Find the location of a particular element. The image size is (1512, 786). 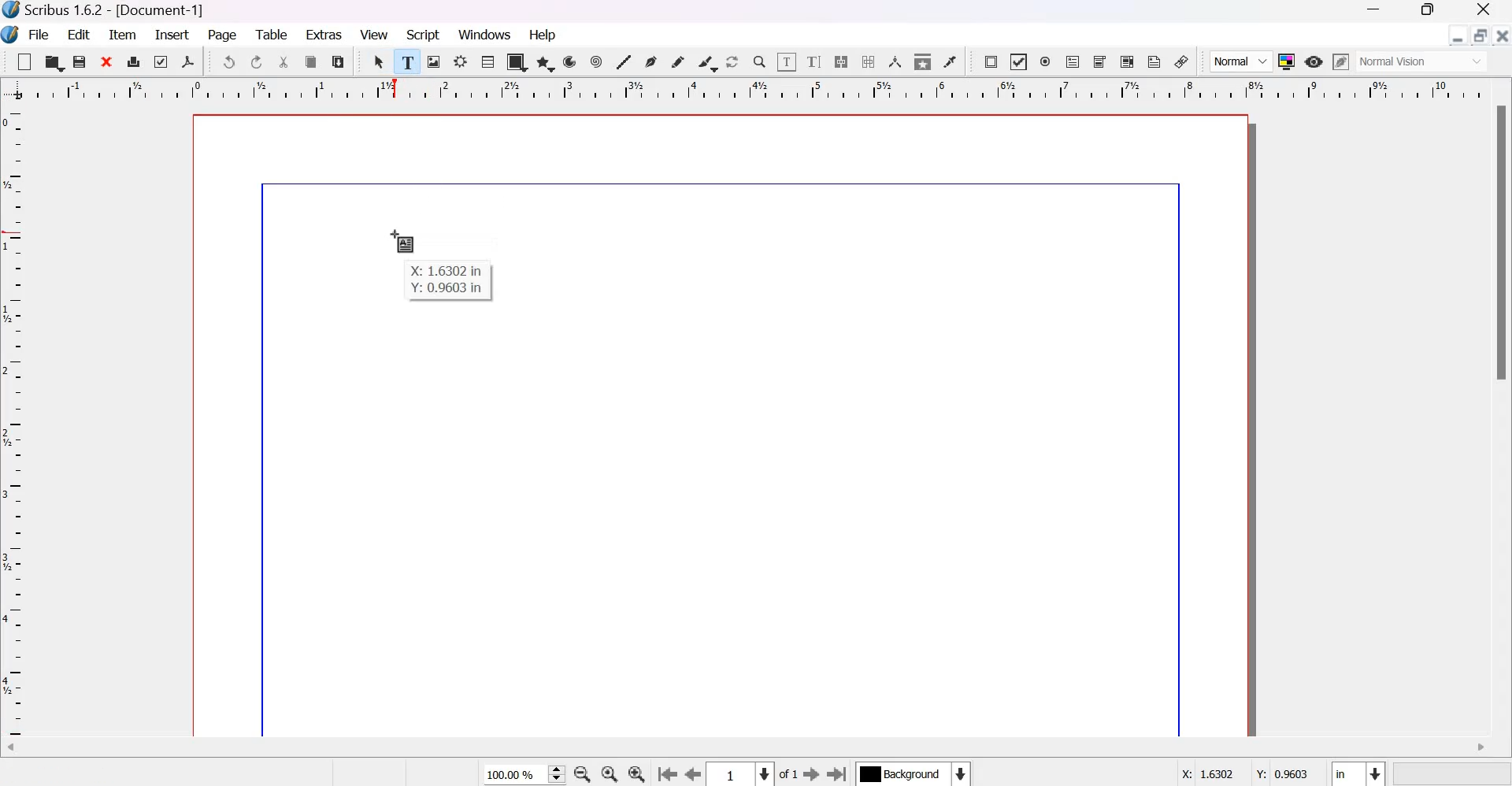

paste is located at coordinates (339, 61).